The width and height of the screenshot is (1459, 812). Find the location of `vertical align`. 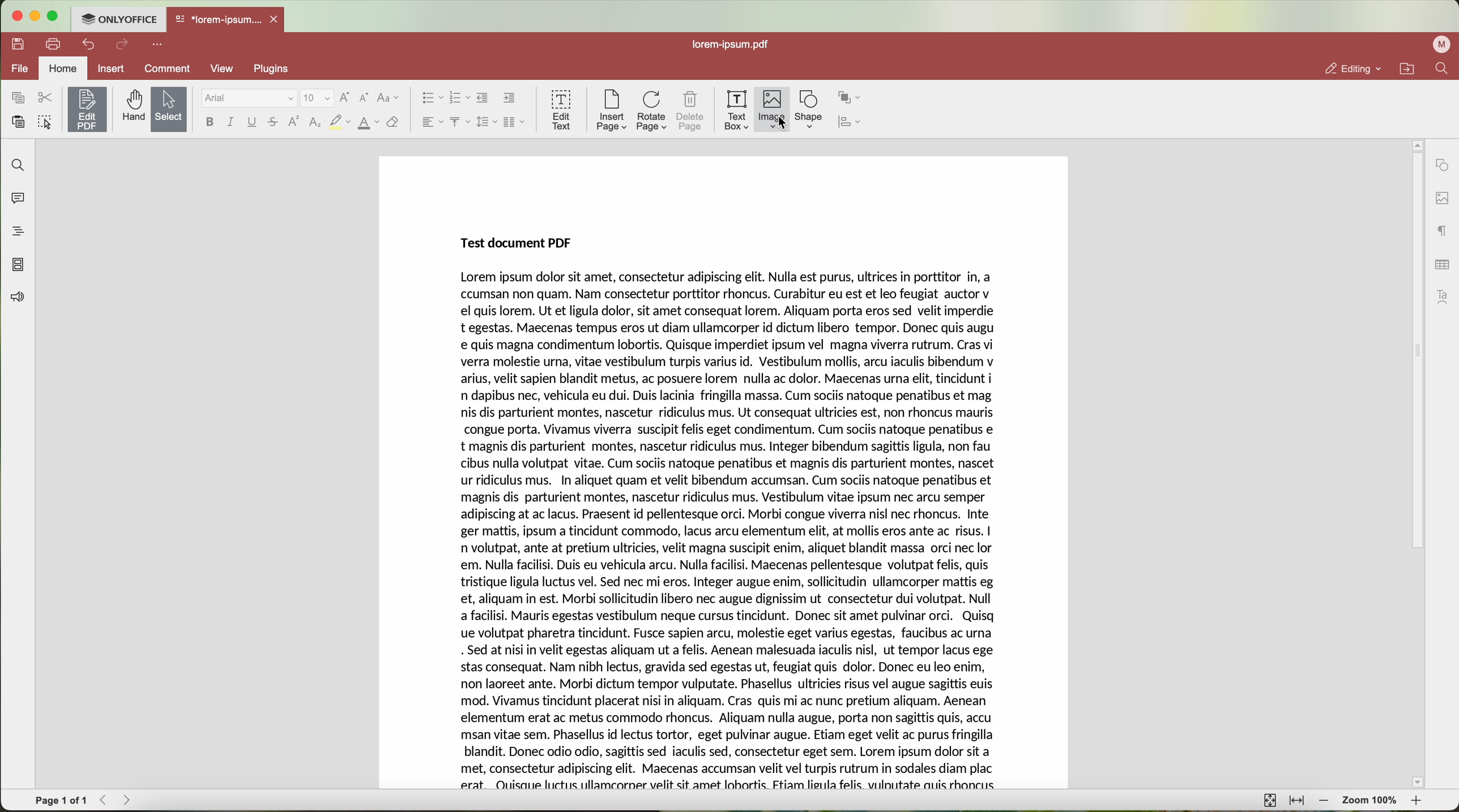

vertical align is located at coordinates (459, 122).